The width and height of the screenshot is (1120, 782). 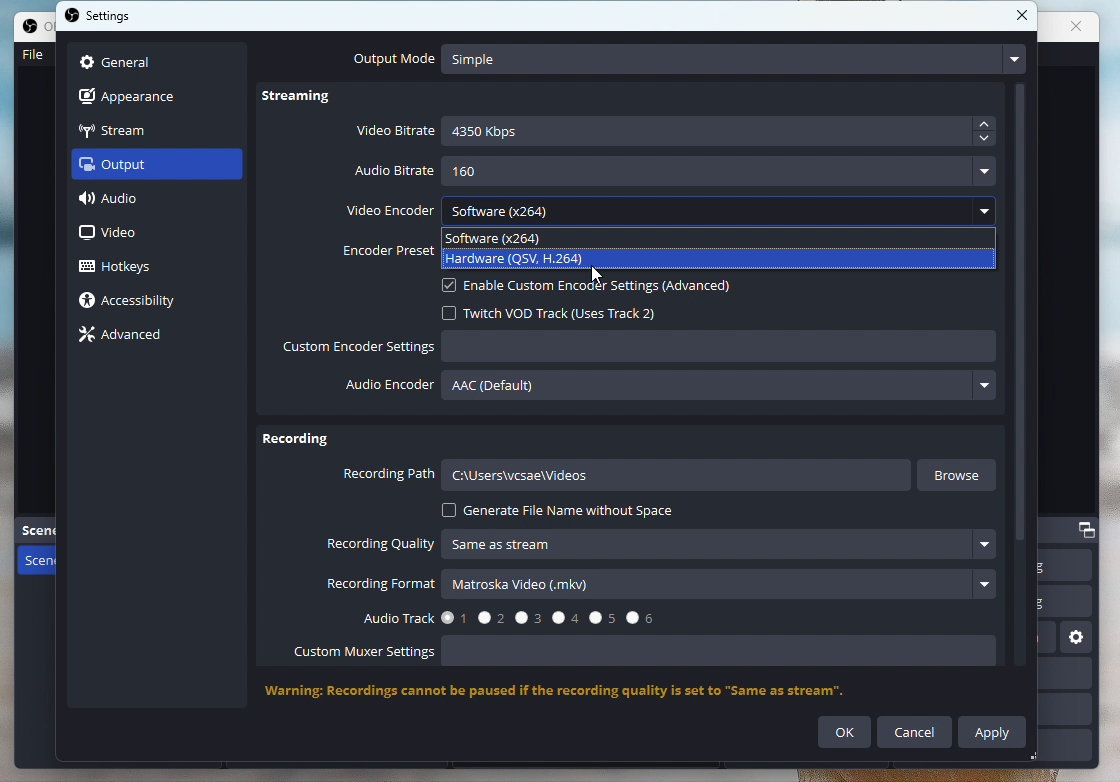 What do you see at coordinates (915, 732) in the screenshot?
I see `Cancel` at bounding box center [915, 732].